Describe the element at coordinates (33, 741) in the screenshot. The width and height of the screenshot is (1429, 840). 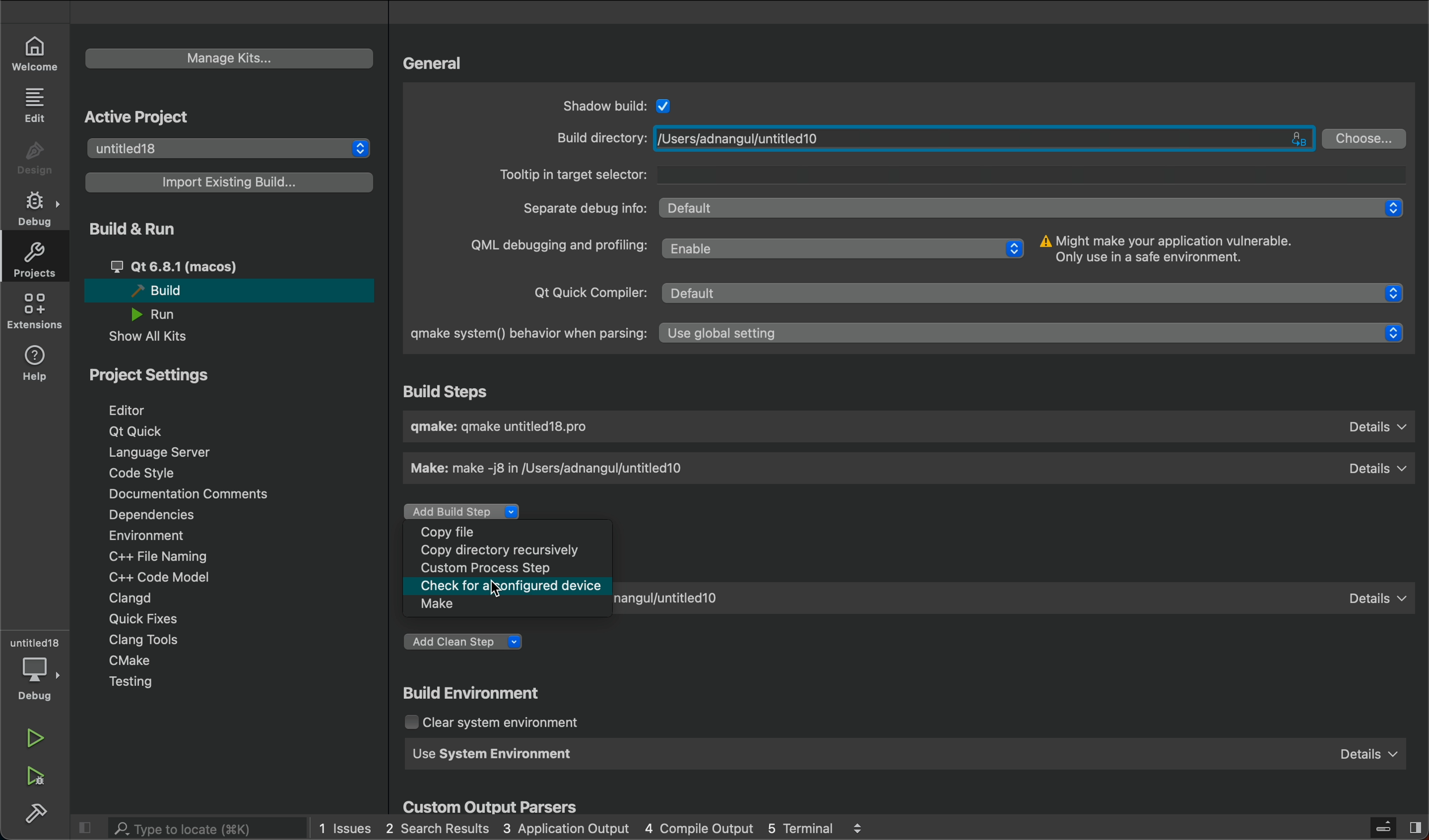
I see `run` at that location.